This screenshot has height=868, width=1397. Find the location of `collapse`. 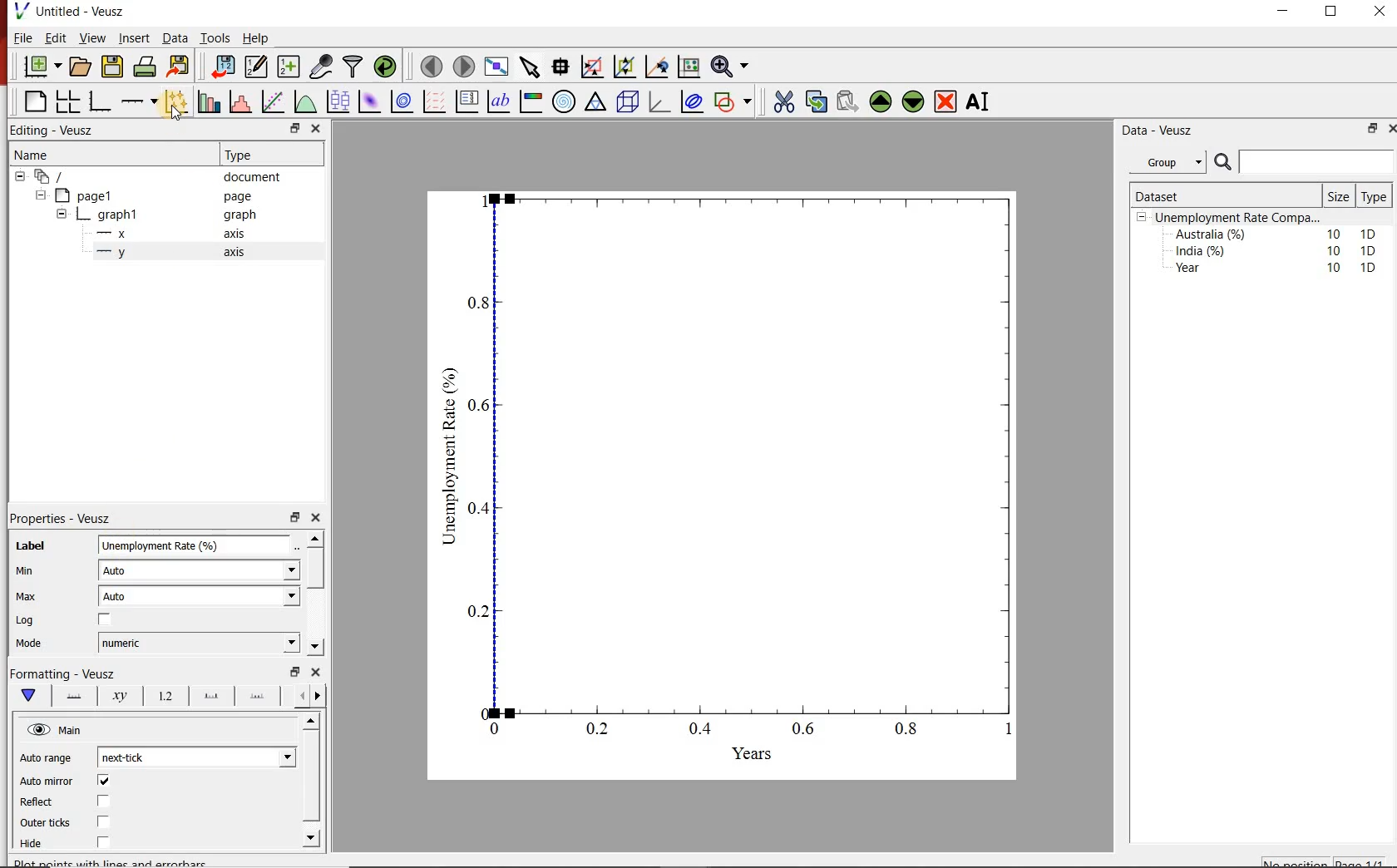

collapse is located at coordinates (61, 216).